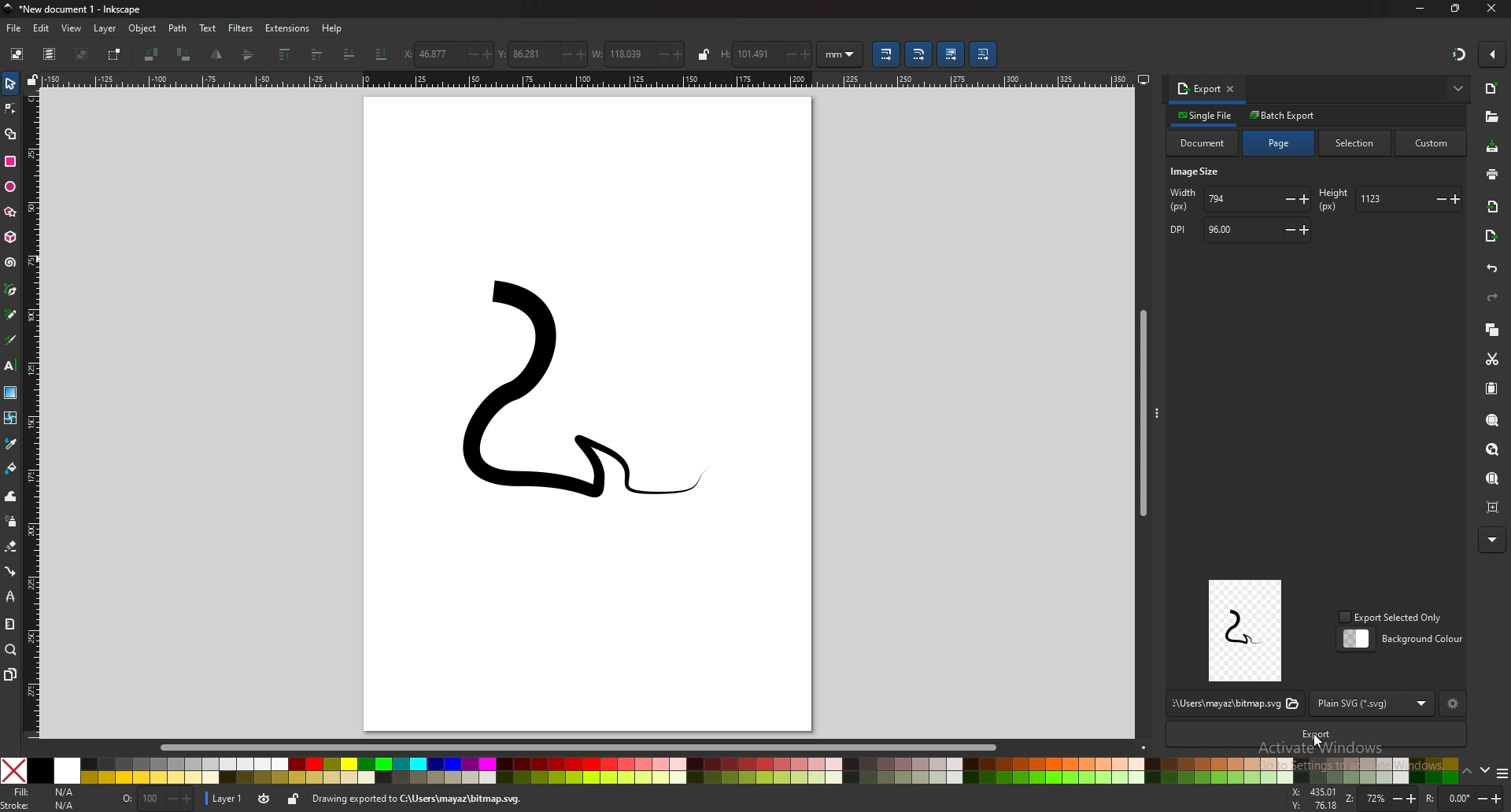  I want to click on print, so click(1491, 173).